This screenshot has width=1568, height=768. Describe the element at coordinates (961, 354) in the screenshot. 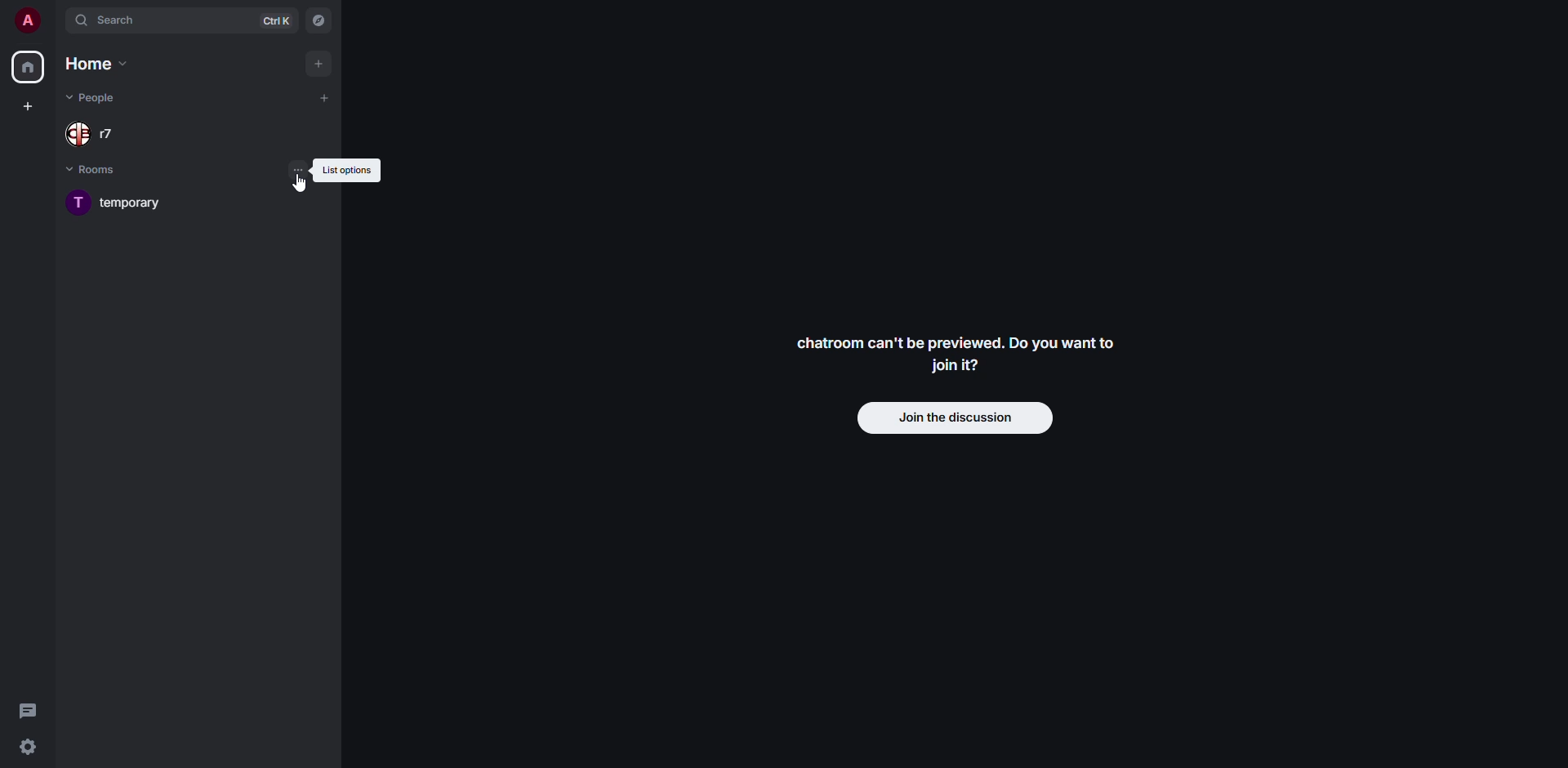

I see `chatroom can't be previewed` at that location.